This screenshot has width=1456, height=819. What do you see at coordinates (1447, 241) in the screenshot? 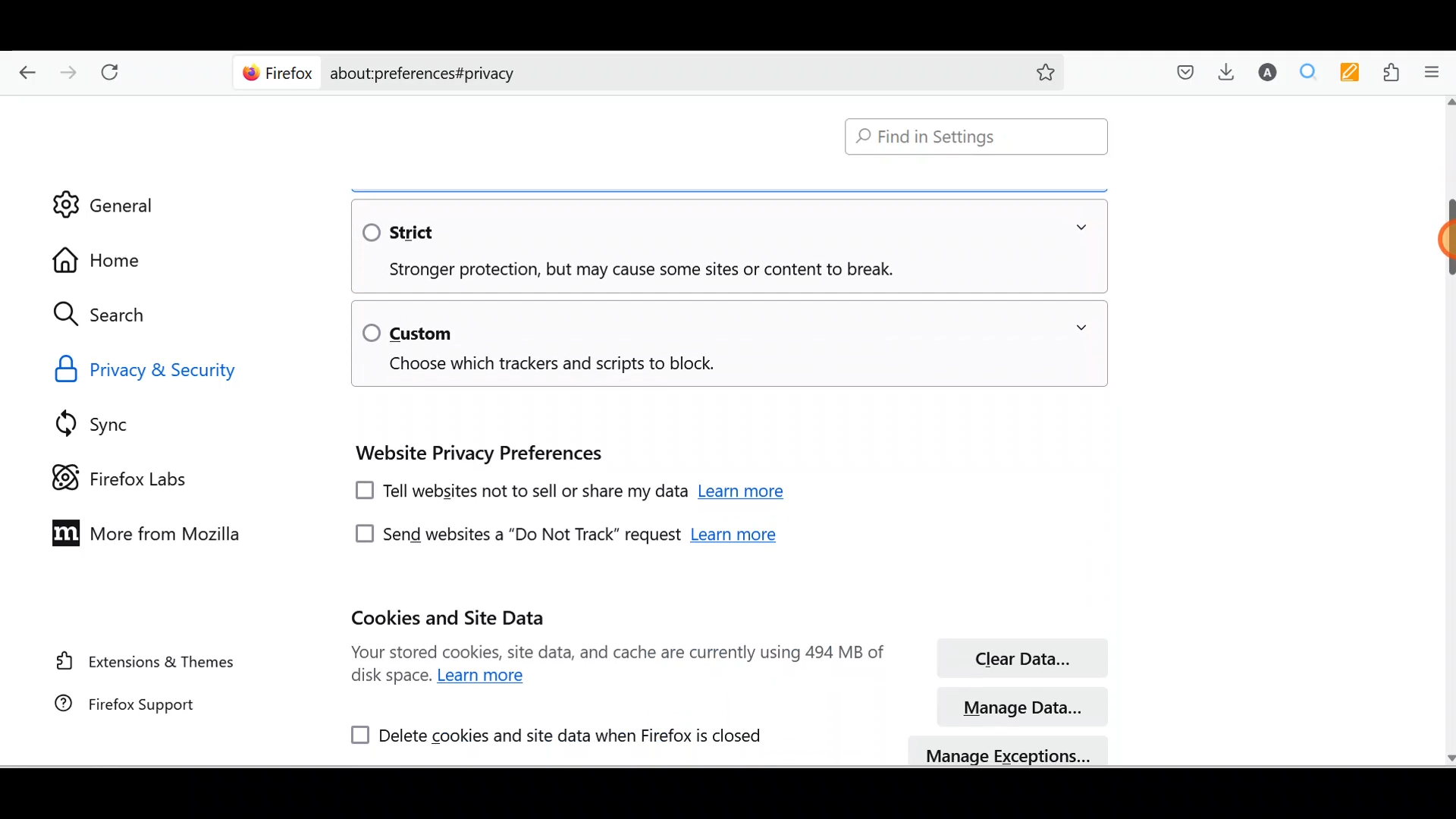
I see `Vertical scrollbar` at bounding box center [1447, 241].